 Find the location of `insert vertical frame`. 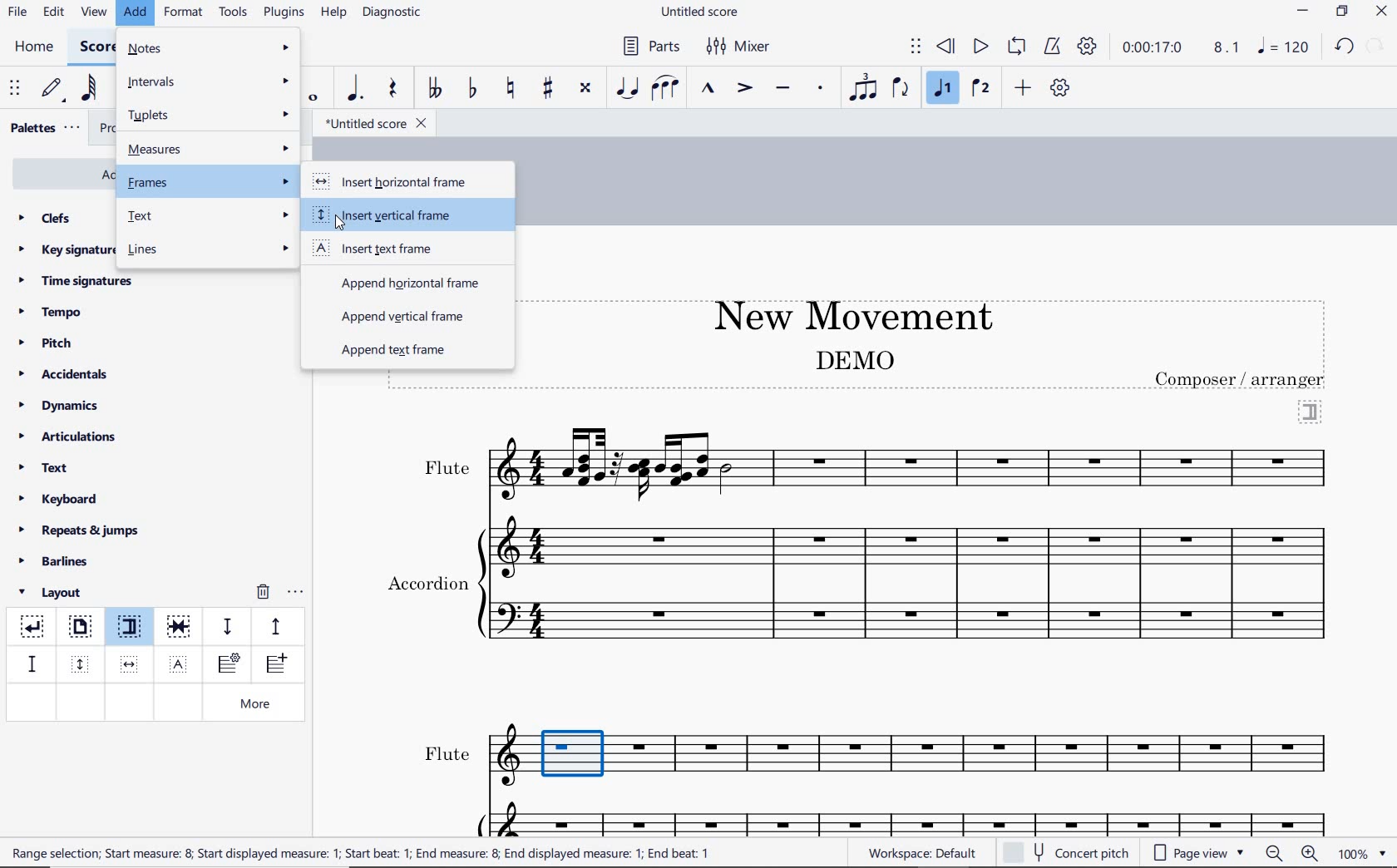

insert vertical frame is located at coordinates (82, 663).